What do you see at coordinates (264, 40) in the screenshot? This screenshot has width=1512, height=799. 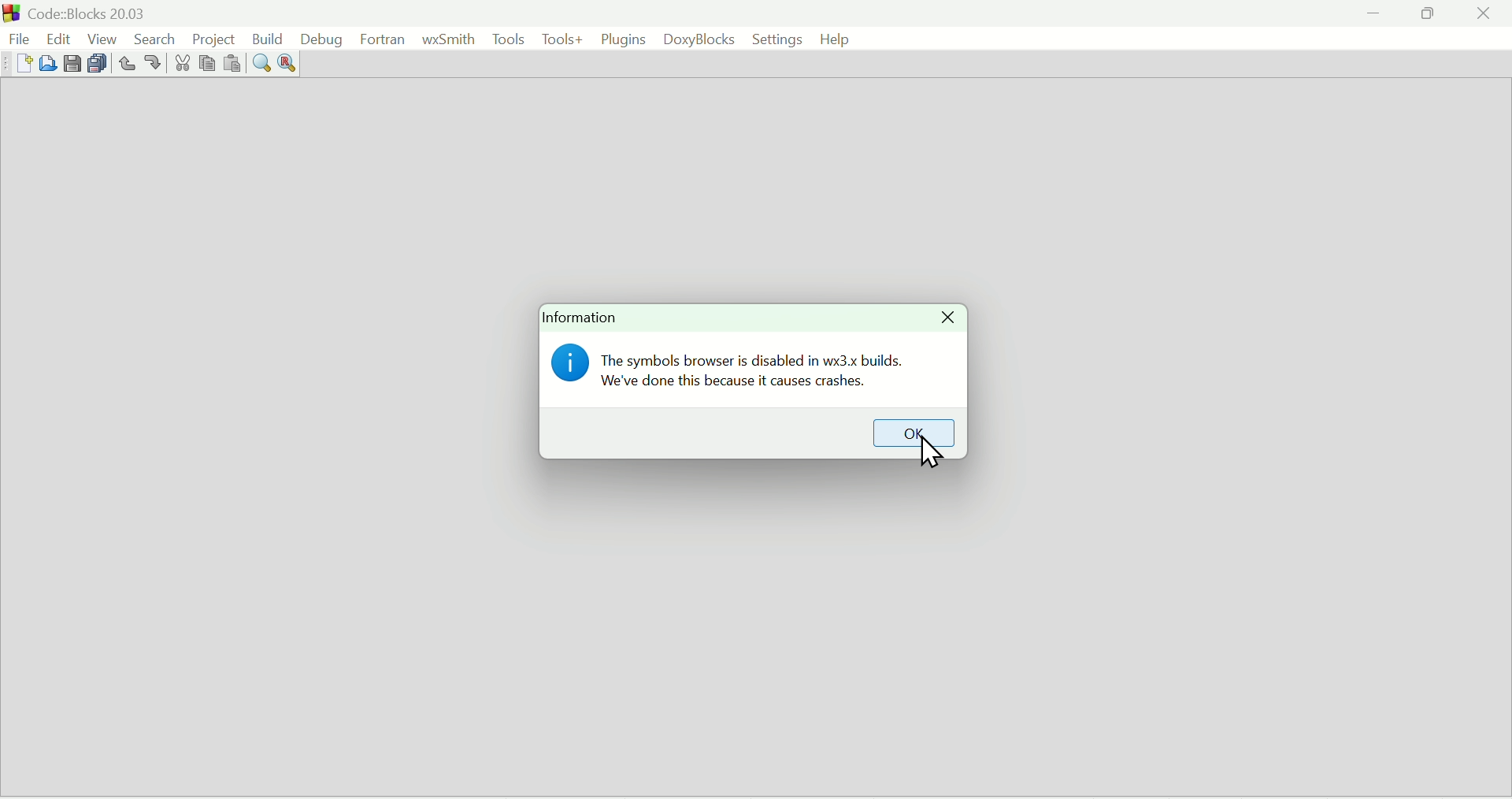 I see `Build` at bounding box center [264, 40].